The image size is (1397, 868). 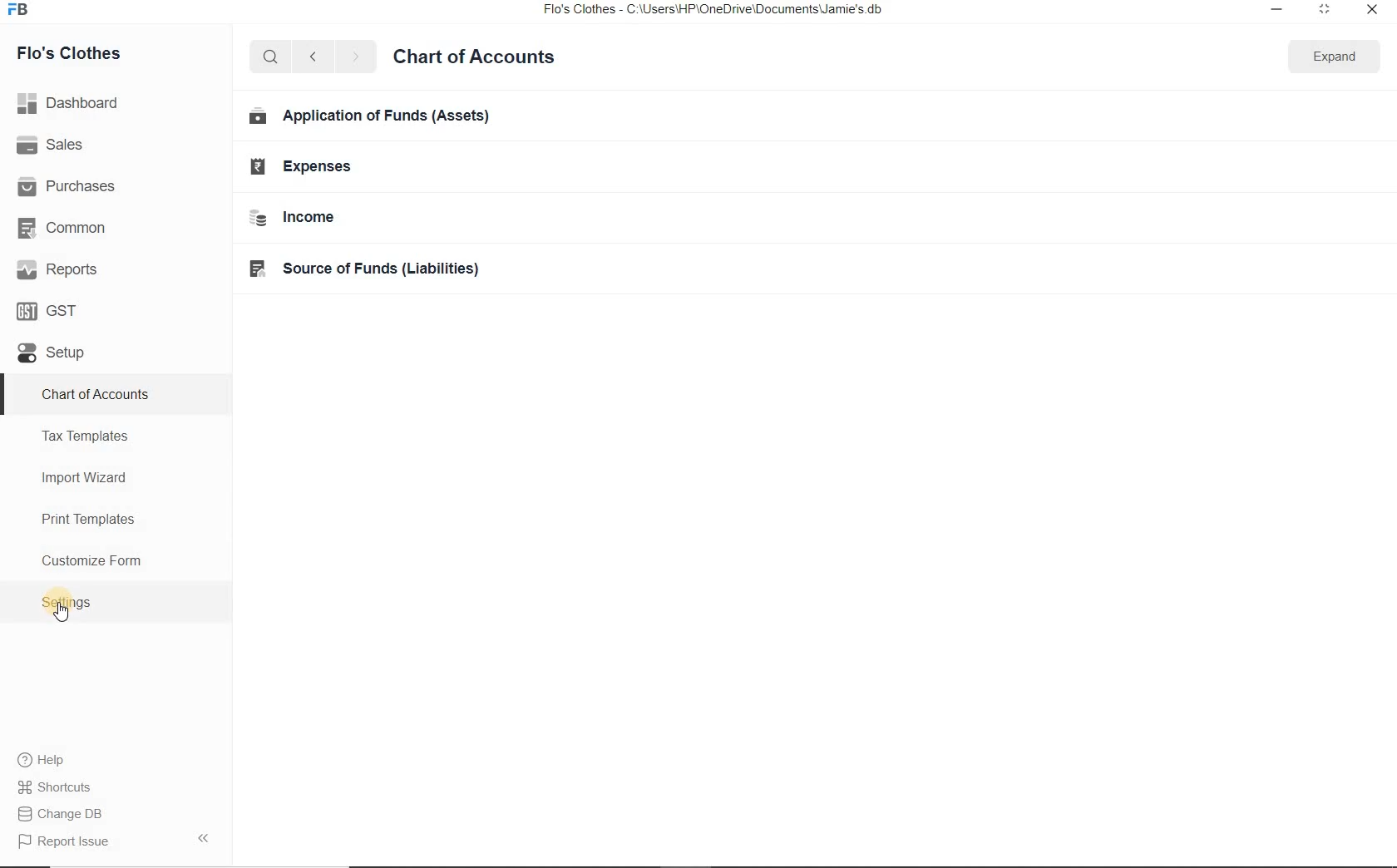 I want to click on Flo's Clothes - C:\Users\HP\OneDrive\Documents\Jamie's db, so click(x=719, y=12).